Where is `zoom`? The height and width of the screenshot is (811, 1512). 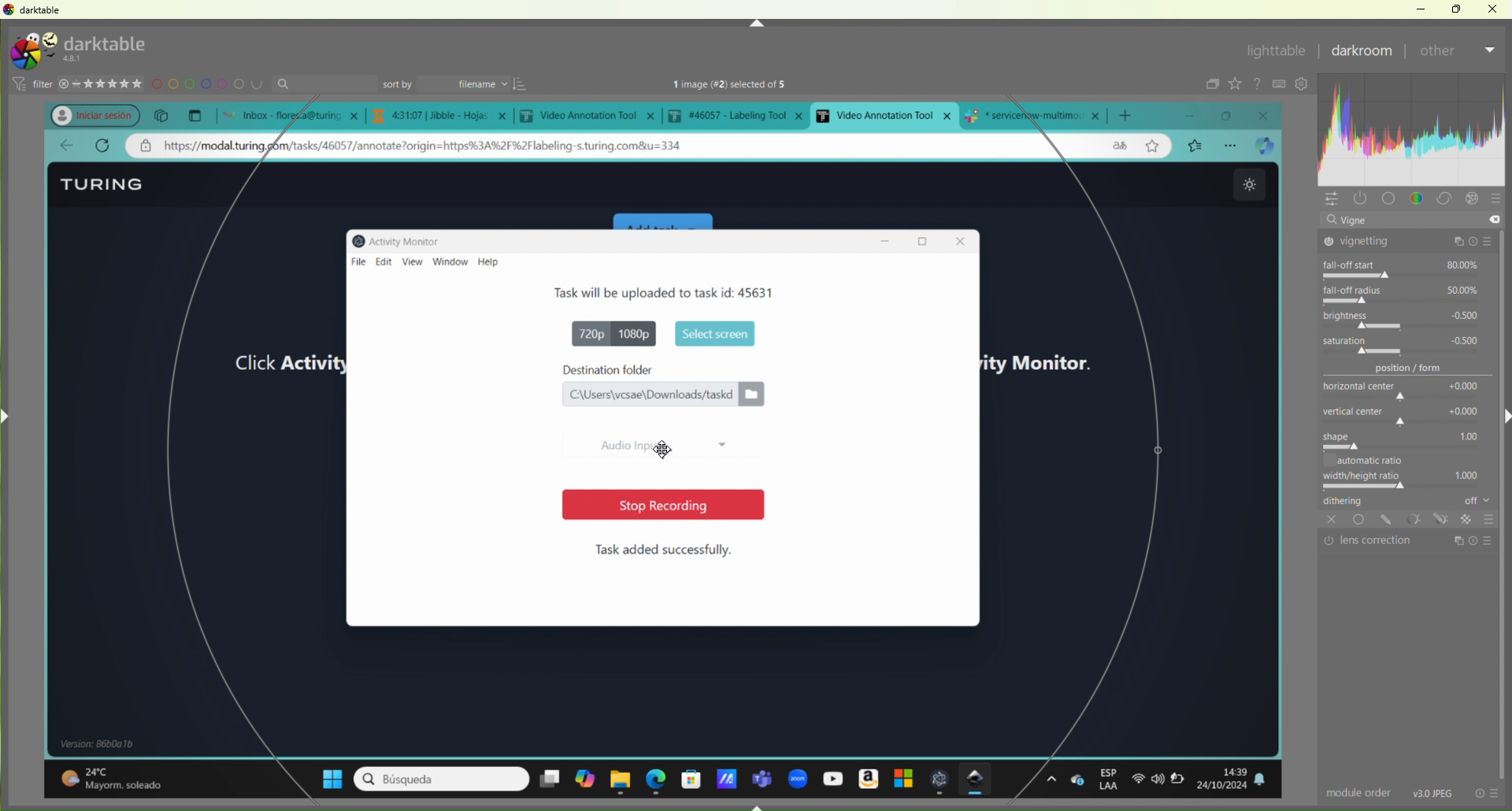
zoom is located at coordinates (797, 776).